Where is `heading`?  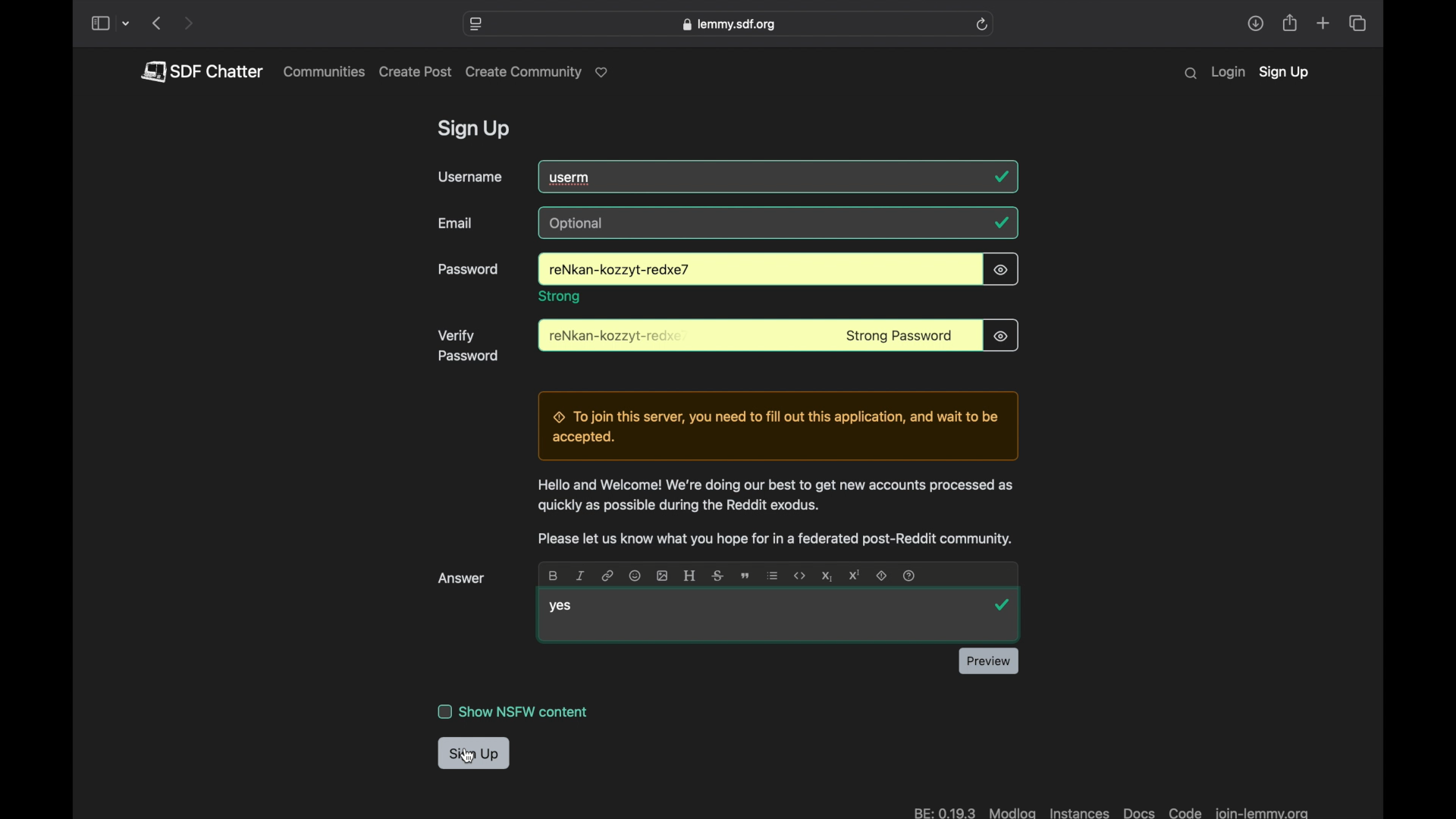
heading is located at coordinates (689, 576).